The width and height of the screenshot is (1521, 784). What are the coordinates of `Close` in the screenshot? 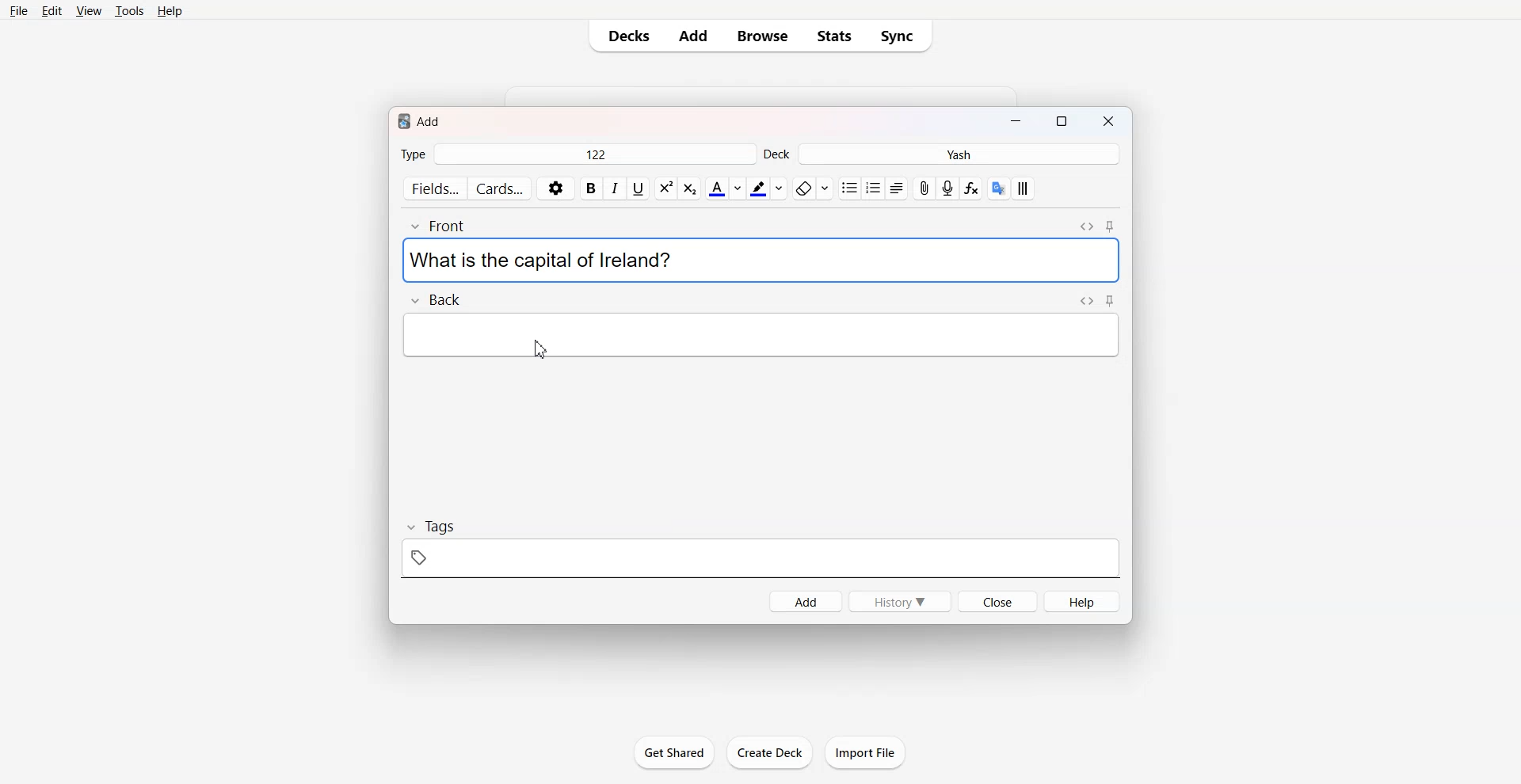 It's located at (997, 601).